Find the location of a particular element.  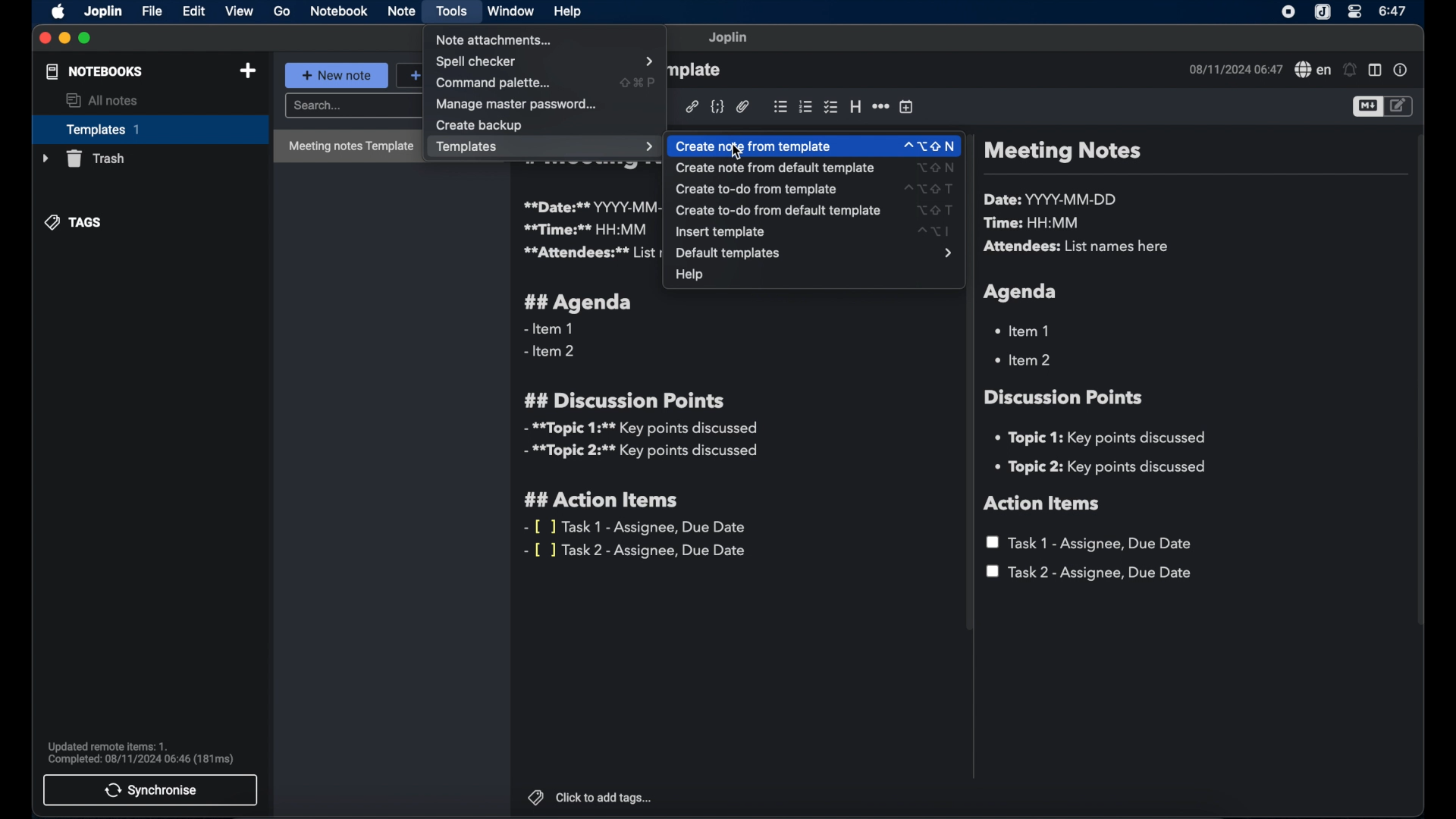

toggle editor is located at coordinates (1365, 108).